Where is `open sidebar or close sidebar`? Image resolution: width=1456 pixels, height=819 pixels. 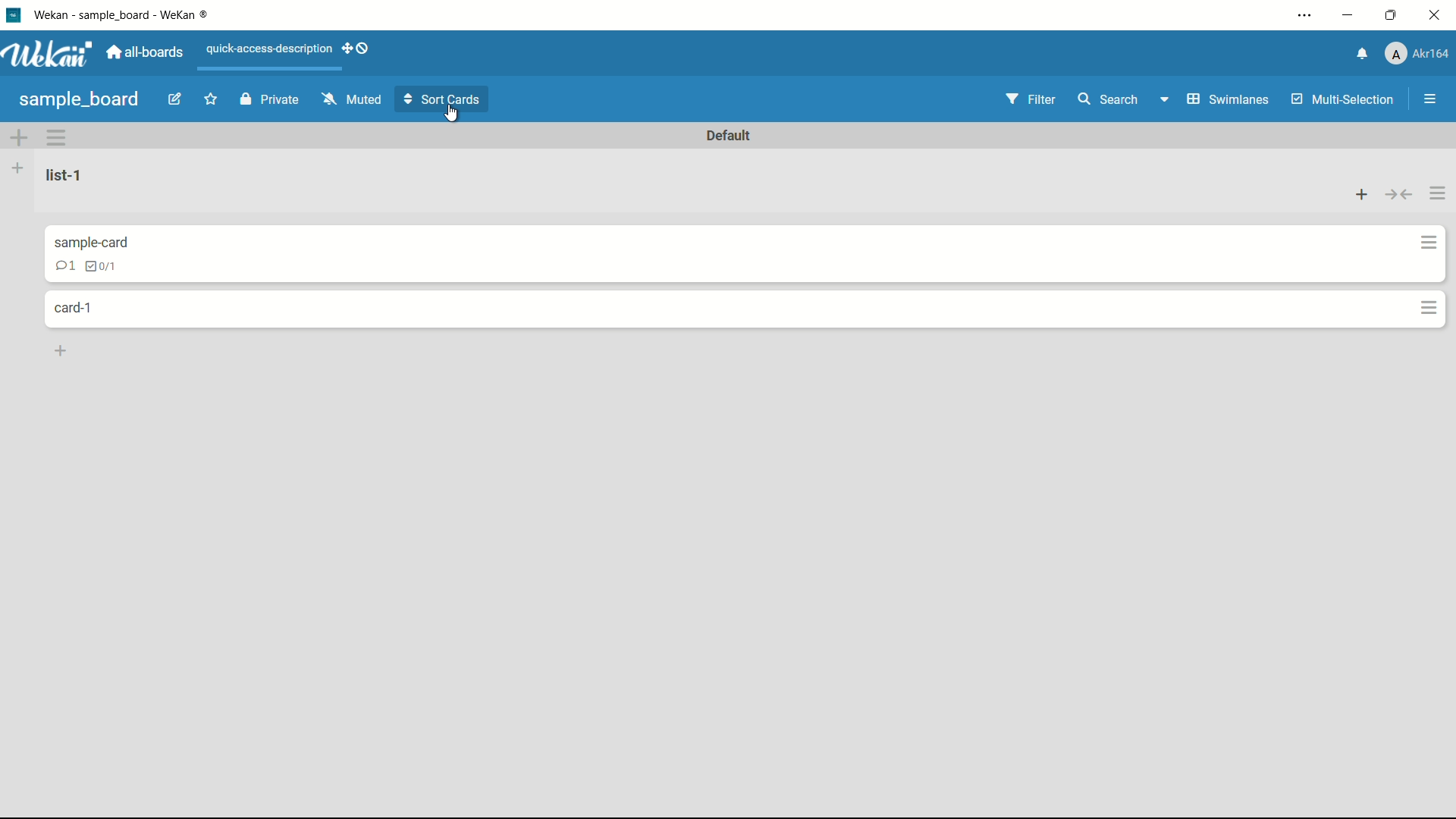
open sidebar or close sidebar is located at coordinates (1430, 99).